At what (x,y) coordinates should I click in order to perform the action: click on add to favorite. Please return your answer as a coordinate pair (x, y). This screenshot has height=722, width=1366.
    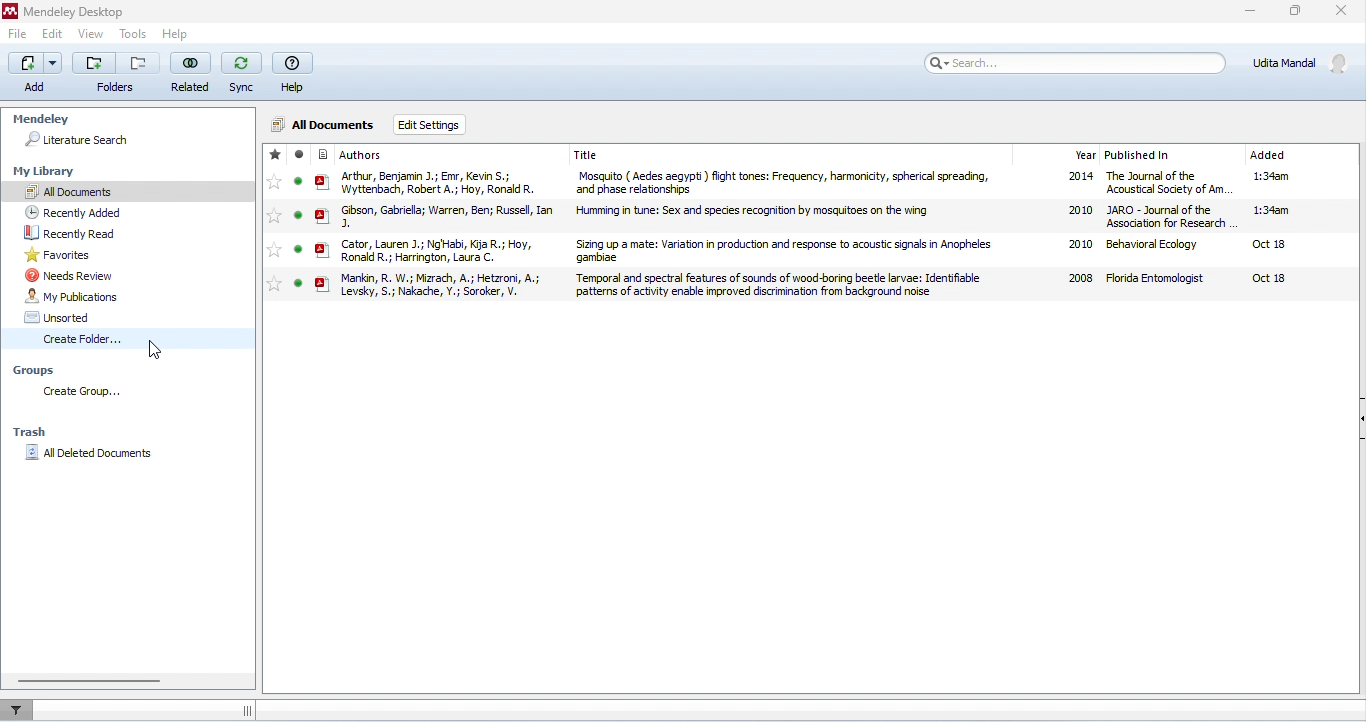
    Looking at the image, I should click on (275, 249).